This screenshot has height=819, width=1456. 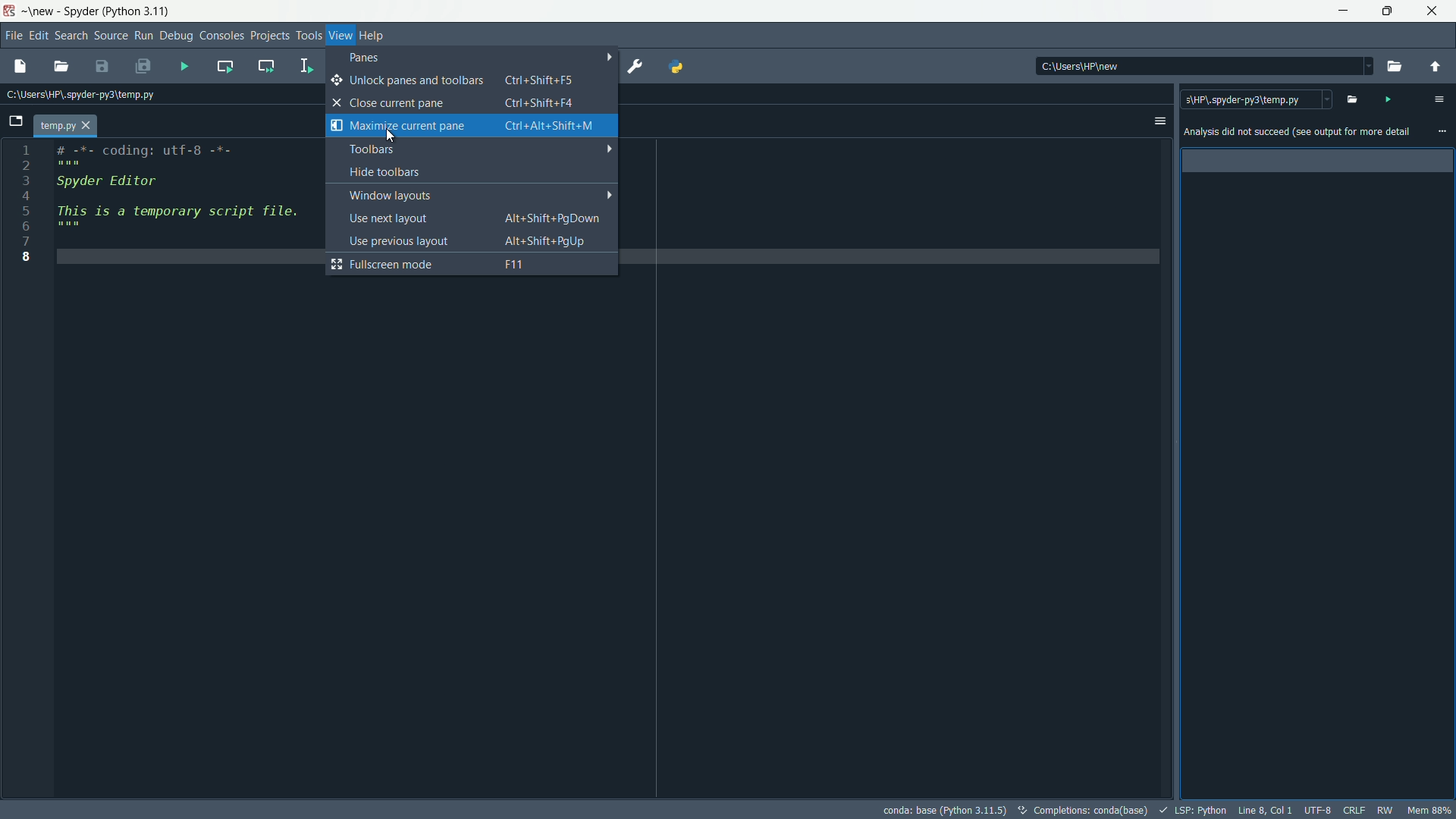 What do you see at coordinates (1441, 67) in the screenshot?
I see `parent directory` at bounding box center [1441, 67].